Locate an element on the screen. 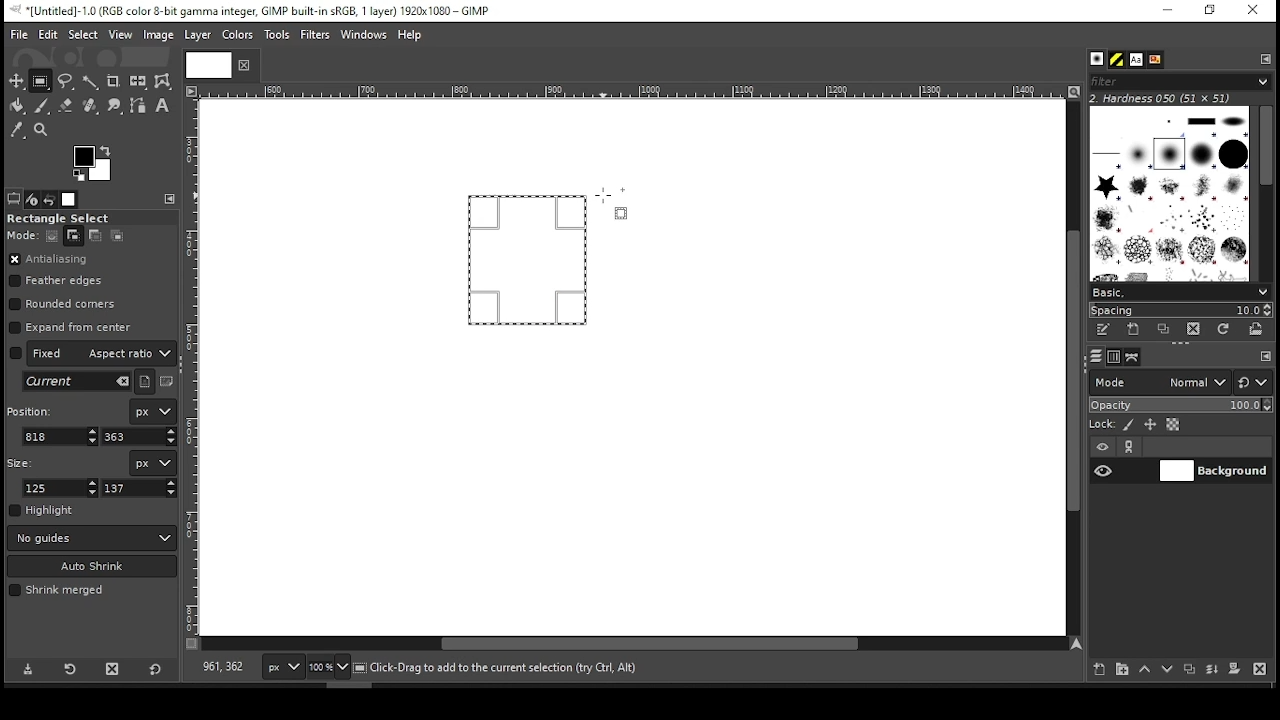 The image size is (1280, 720). shrink merged is located at coordinates (56, 590).